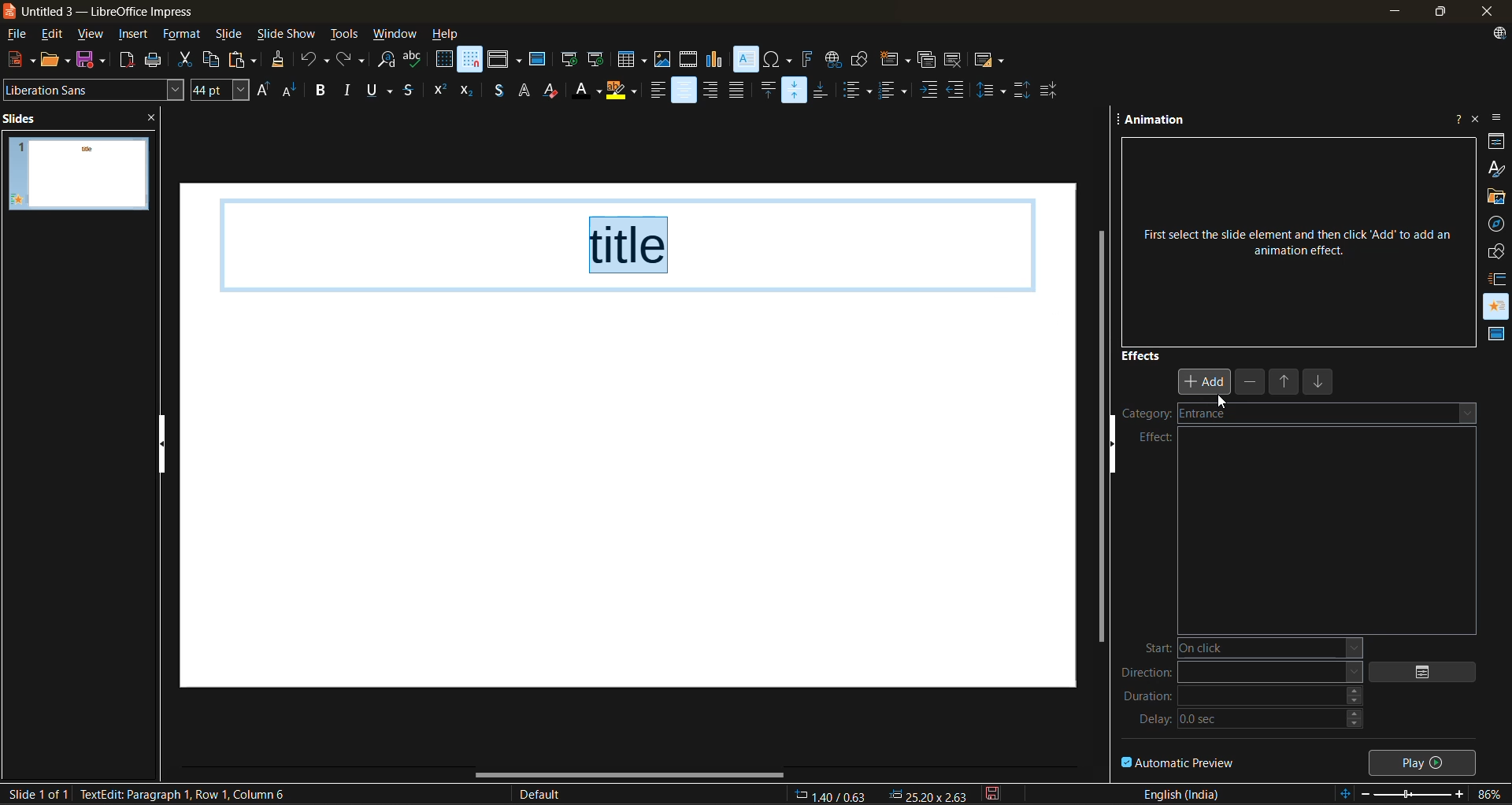 This screenshot has width=1512, height=805. I want to click on insert special characterss, so click(778, 59).